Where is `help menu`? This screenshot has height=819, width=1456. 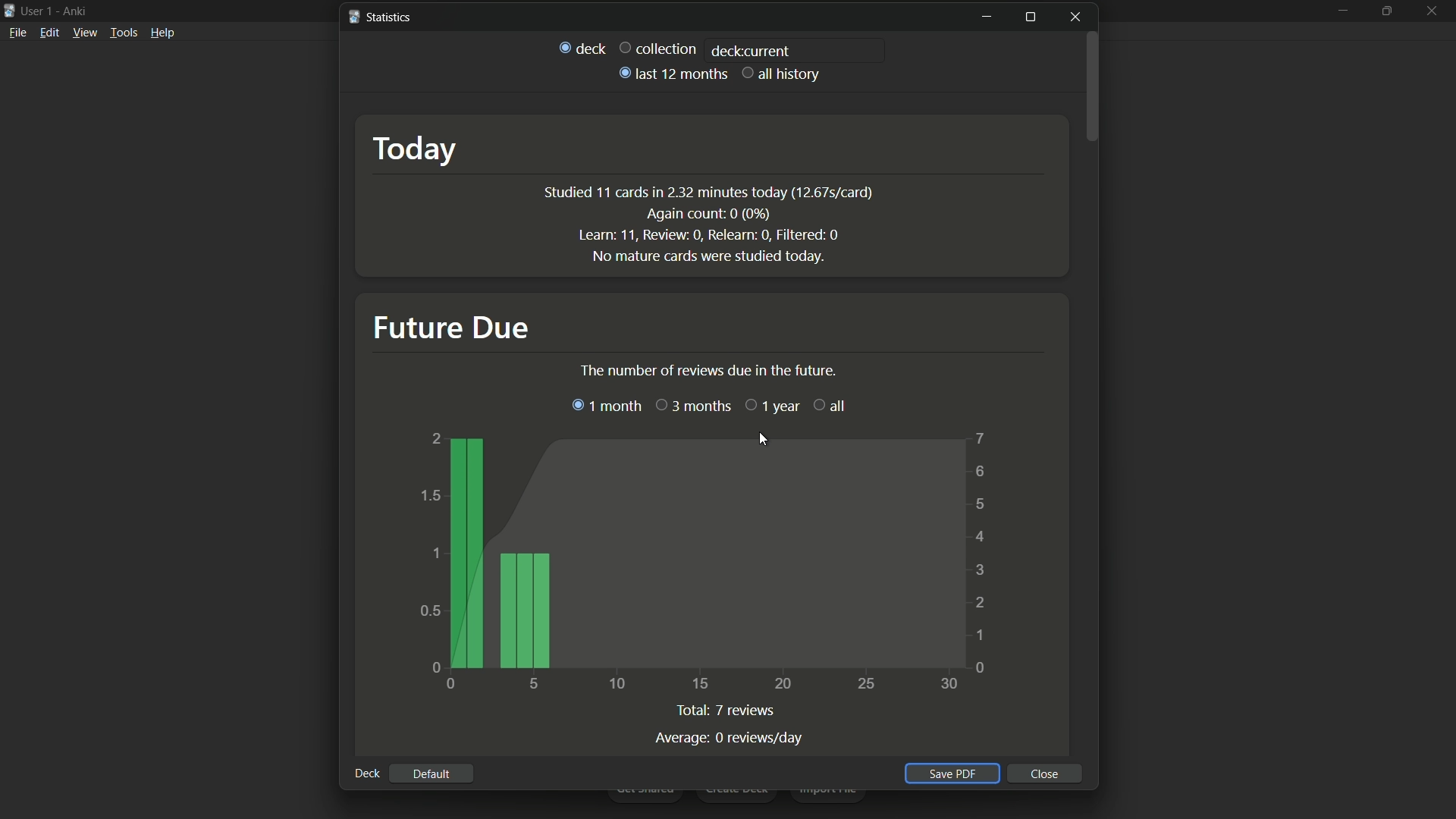
help menu is located at coordinates (163, 32).